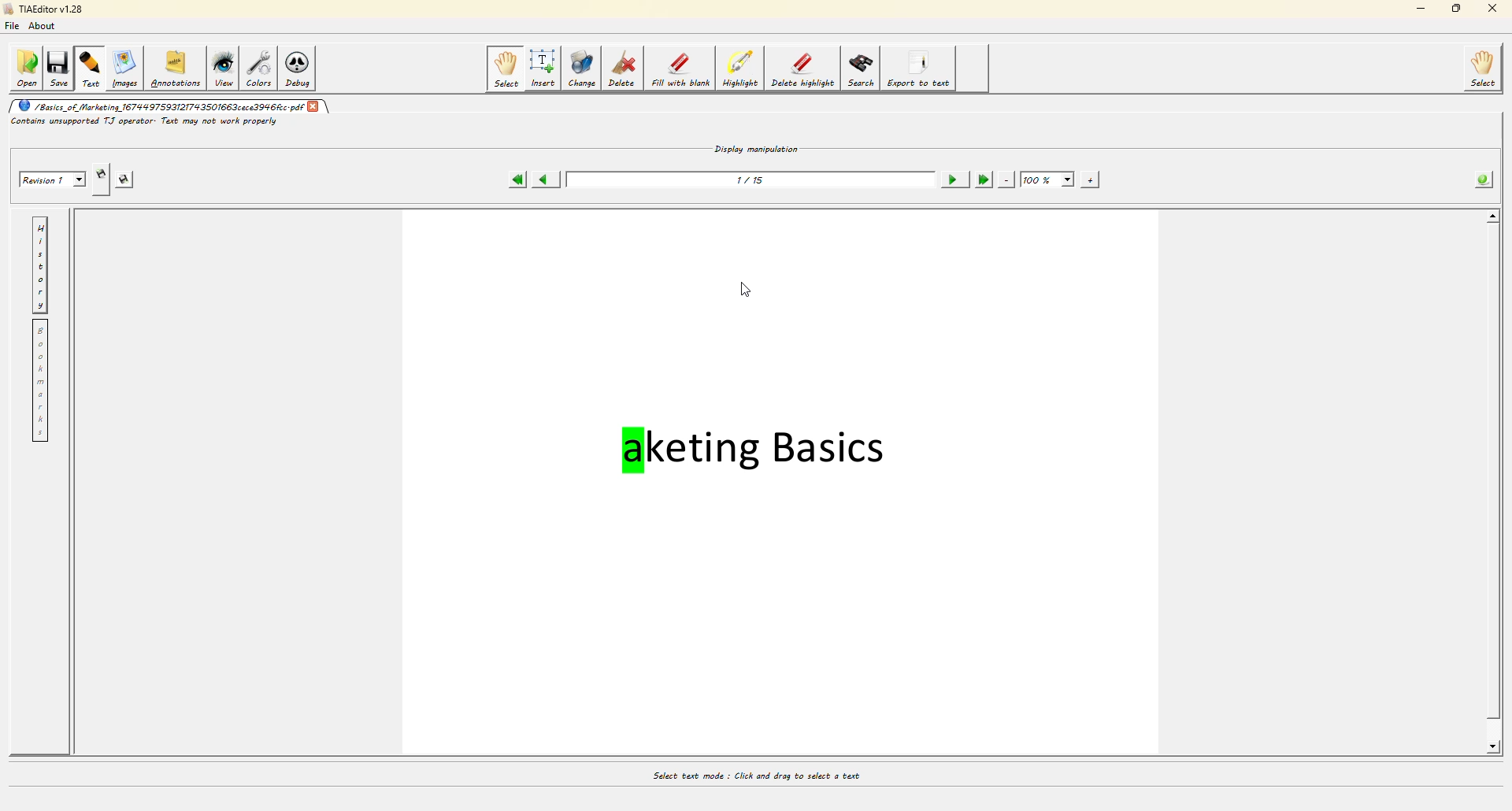 This screenshot has width=1512, height=811. Describe the element at coordinates (315, 108) in the screenshot. I see `close` at that location.